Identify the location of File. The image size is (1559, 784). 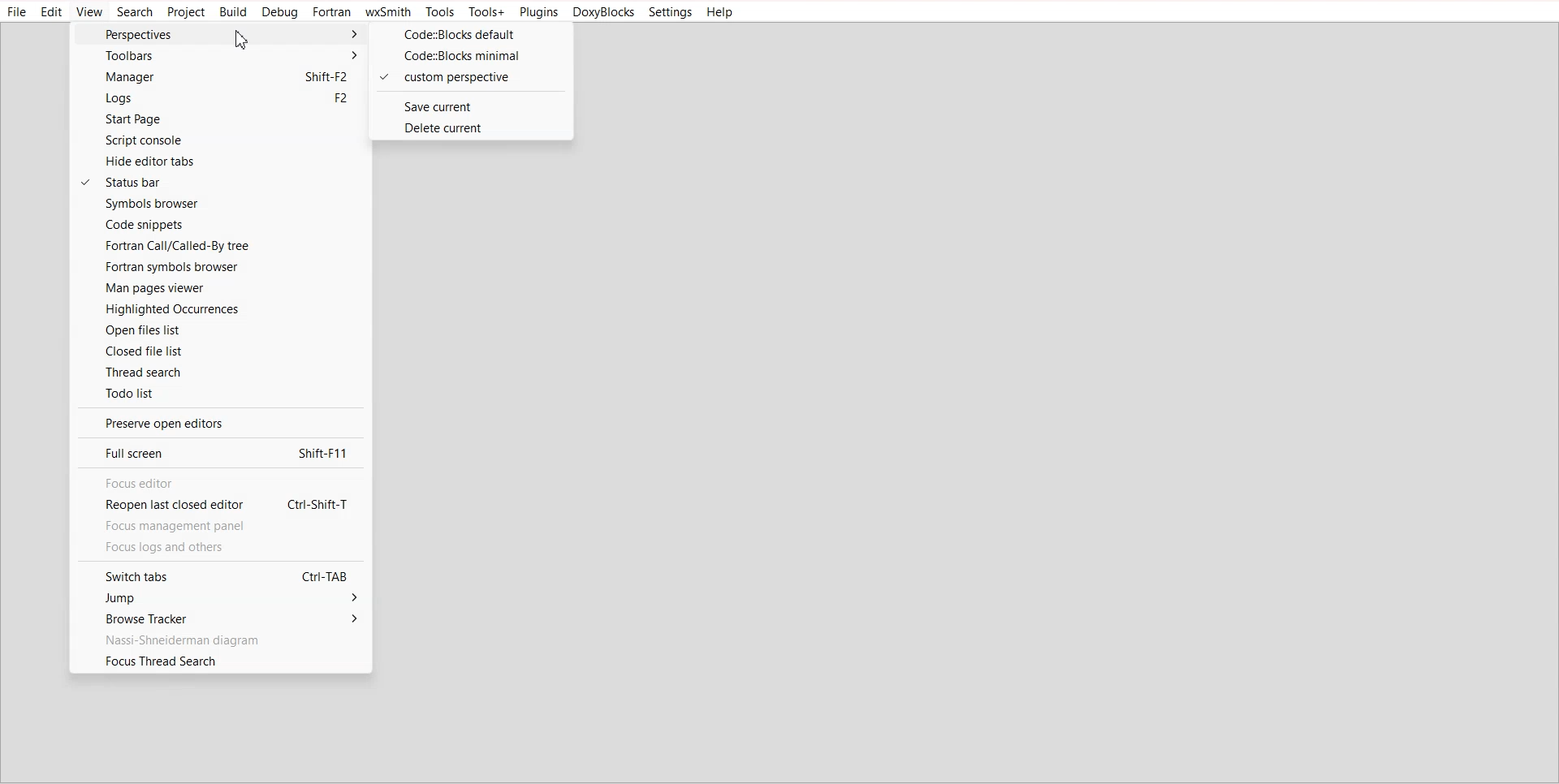
(18, 12).